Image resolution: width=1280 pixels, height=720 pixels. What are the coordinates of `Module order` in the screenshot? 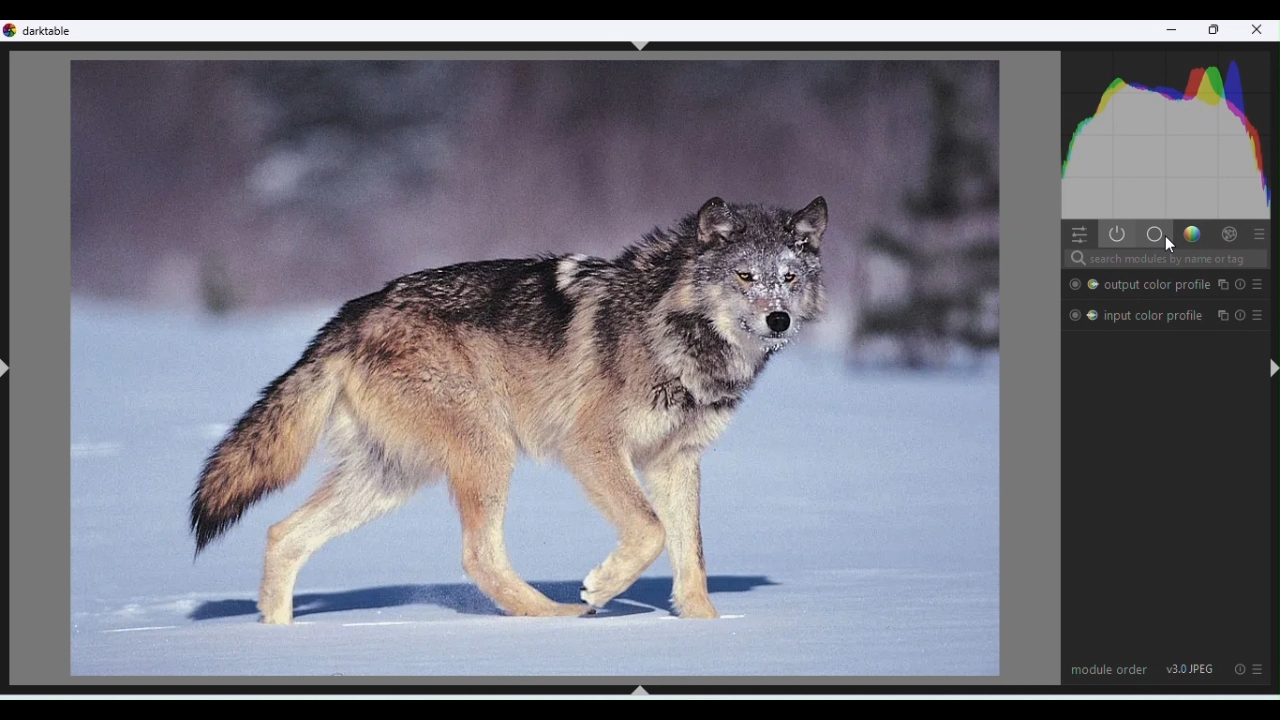 It's located at (1109, 668).